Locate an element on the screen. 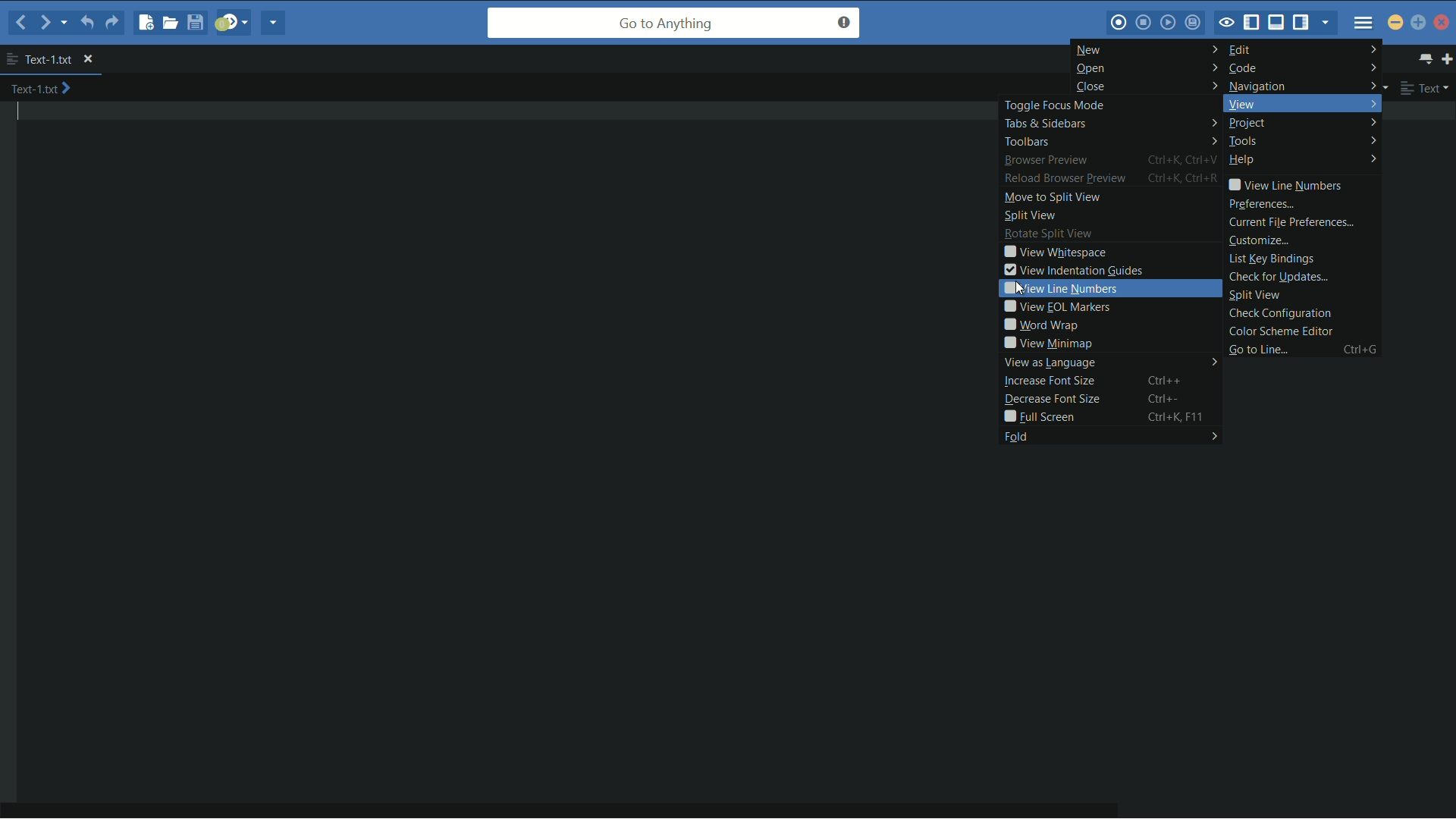 The image size is (1456, 819). work space is located at coordinates (519, 446).